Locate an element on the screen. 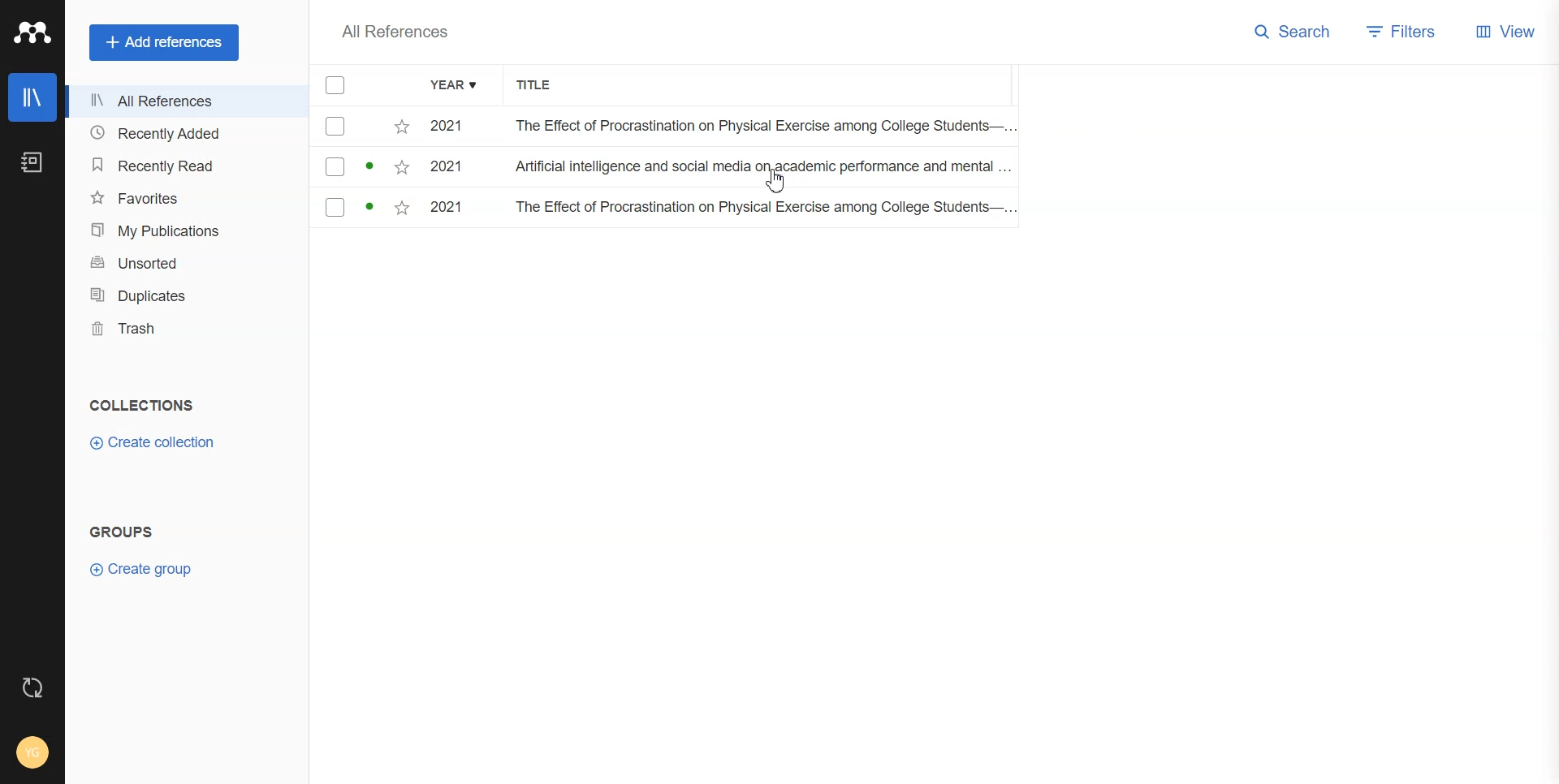 Image resolution: width=1559 pixels, height=784 pixels. COLLECTIONS is located at coordinates (145, 405).